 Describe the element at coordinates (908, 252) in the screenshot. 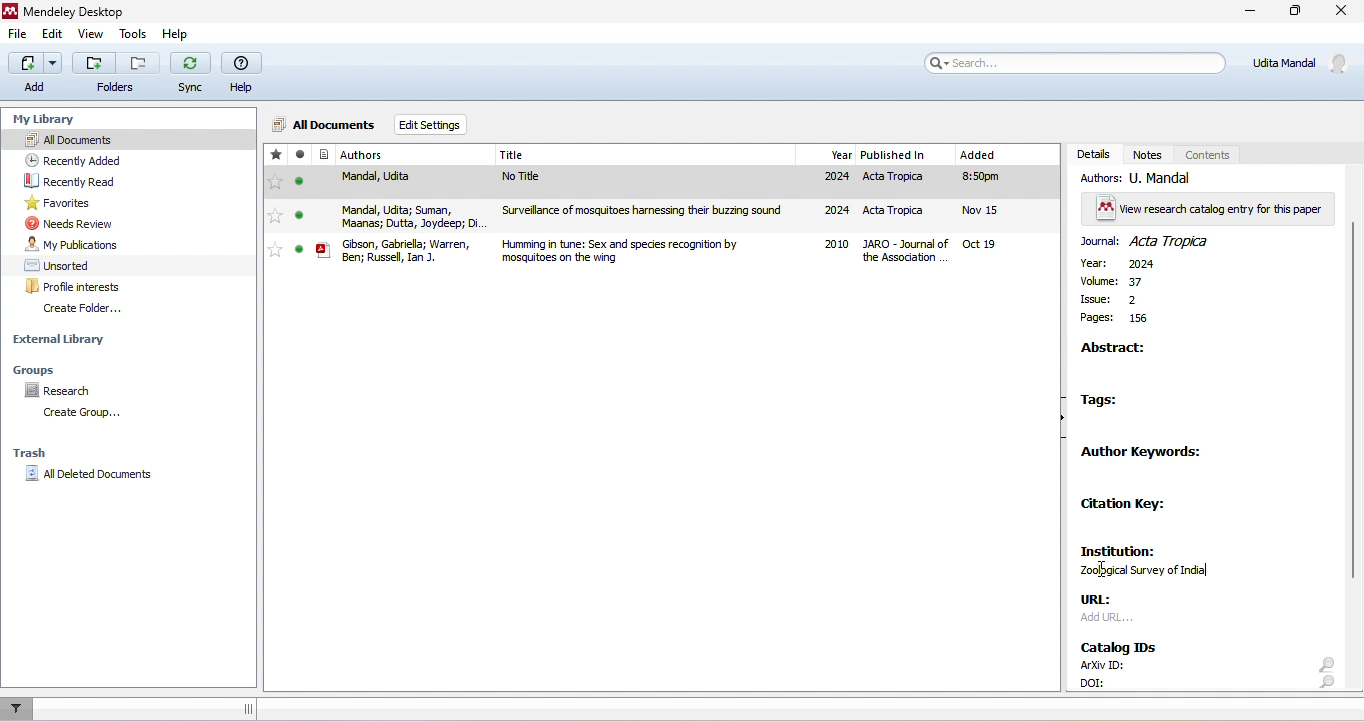

I see `jaro journal of the association` at that location.